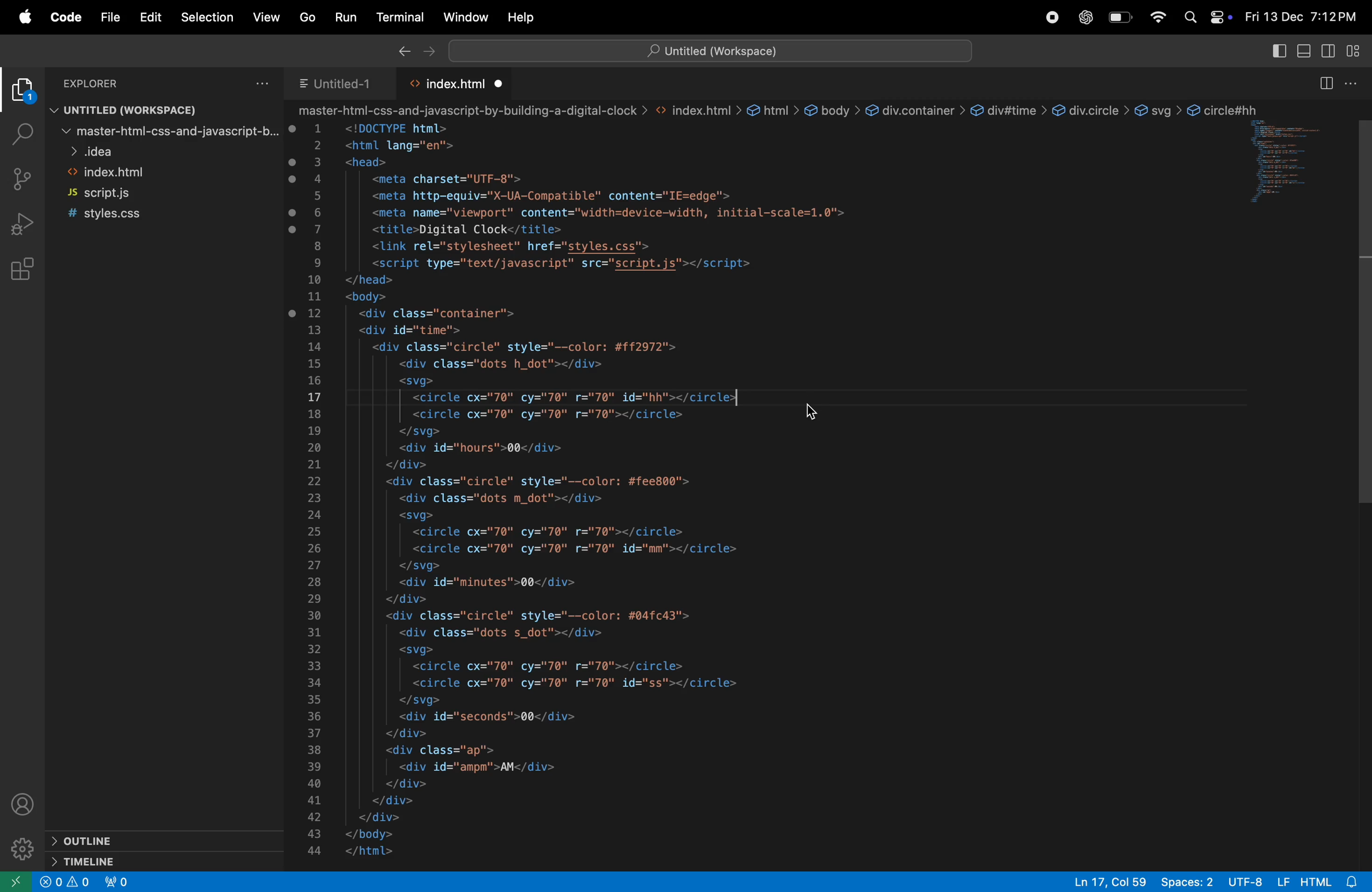 The image size is (1372, 892). What do you see at coordinates (816, 415) in the screenshot?
I see `cursor` at bounding box center [816, 415].